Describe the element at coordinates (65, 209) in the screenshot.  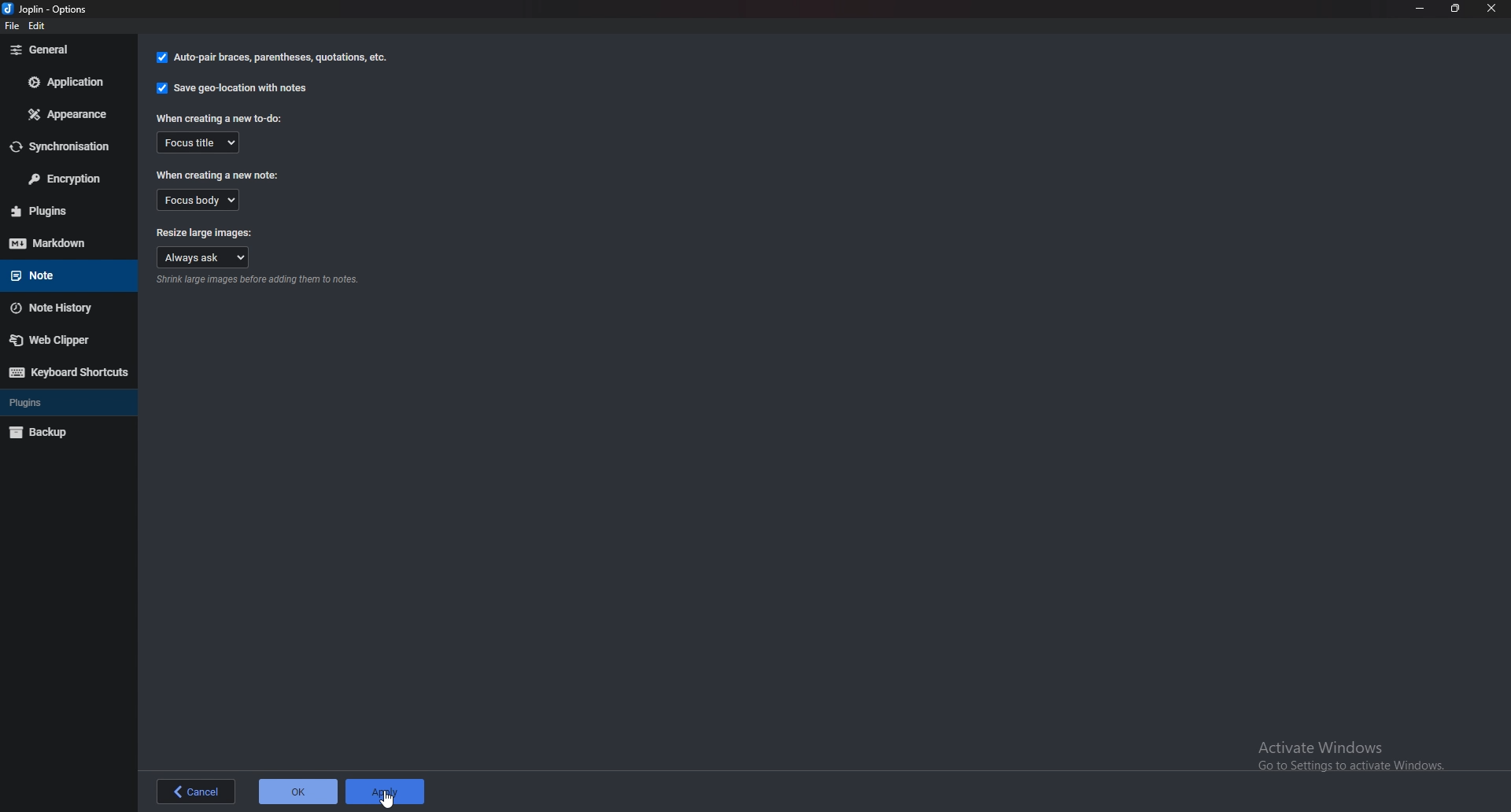
I see `Plugins` at that location.